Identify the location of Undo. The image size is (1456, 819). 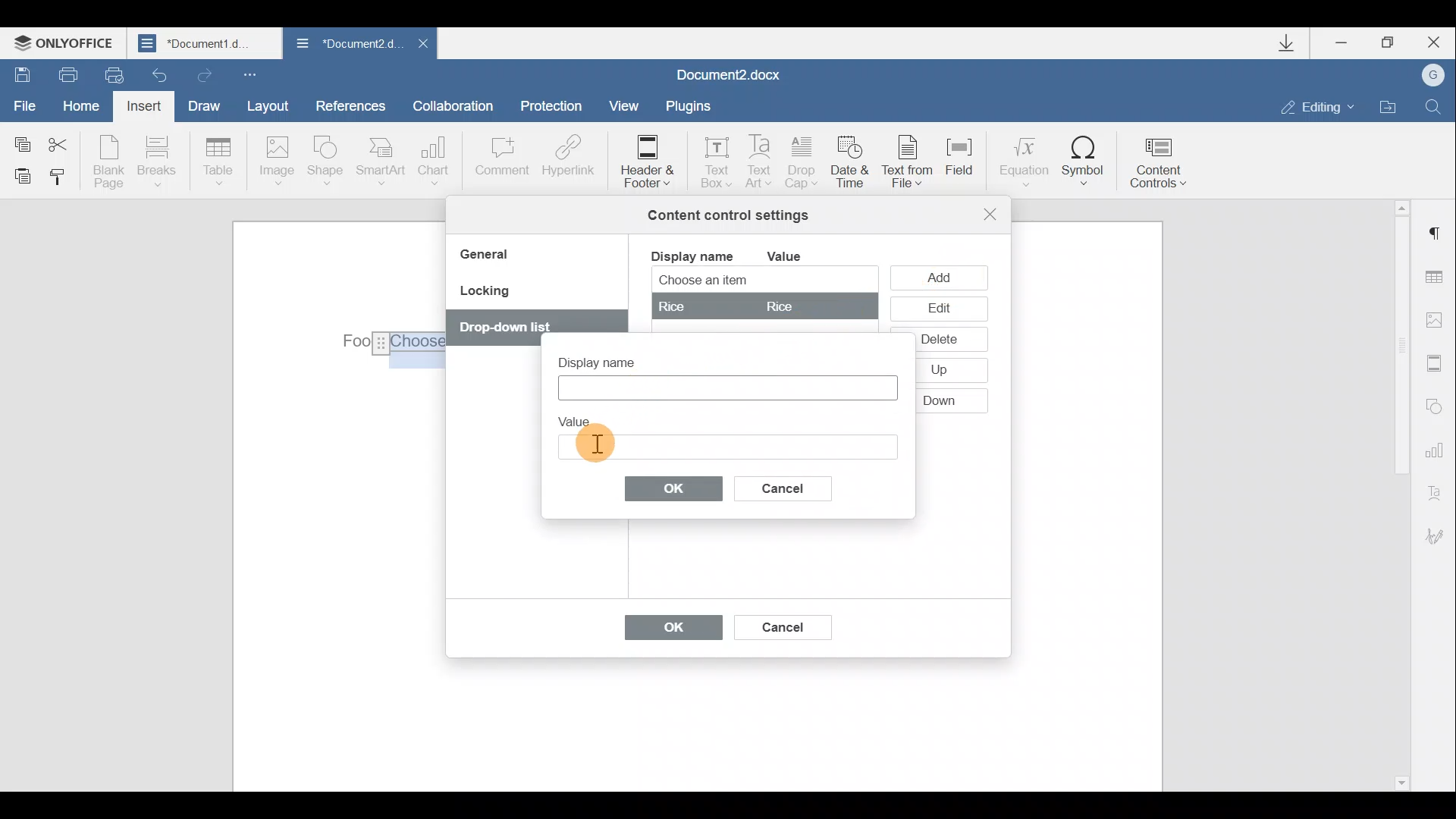
(161, 71).